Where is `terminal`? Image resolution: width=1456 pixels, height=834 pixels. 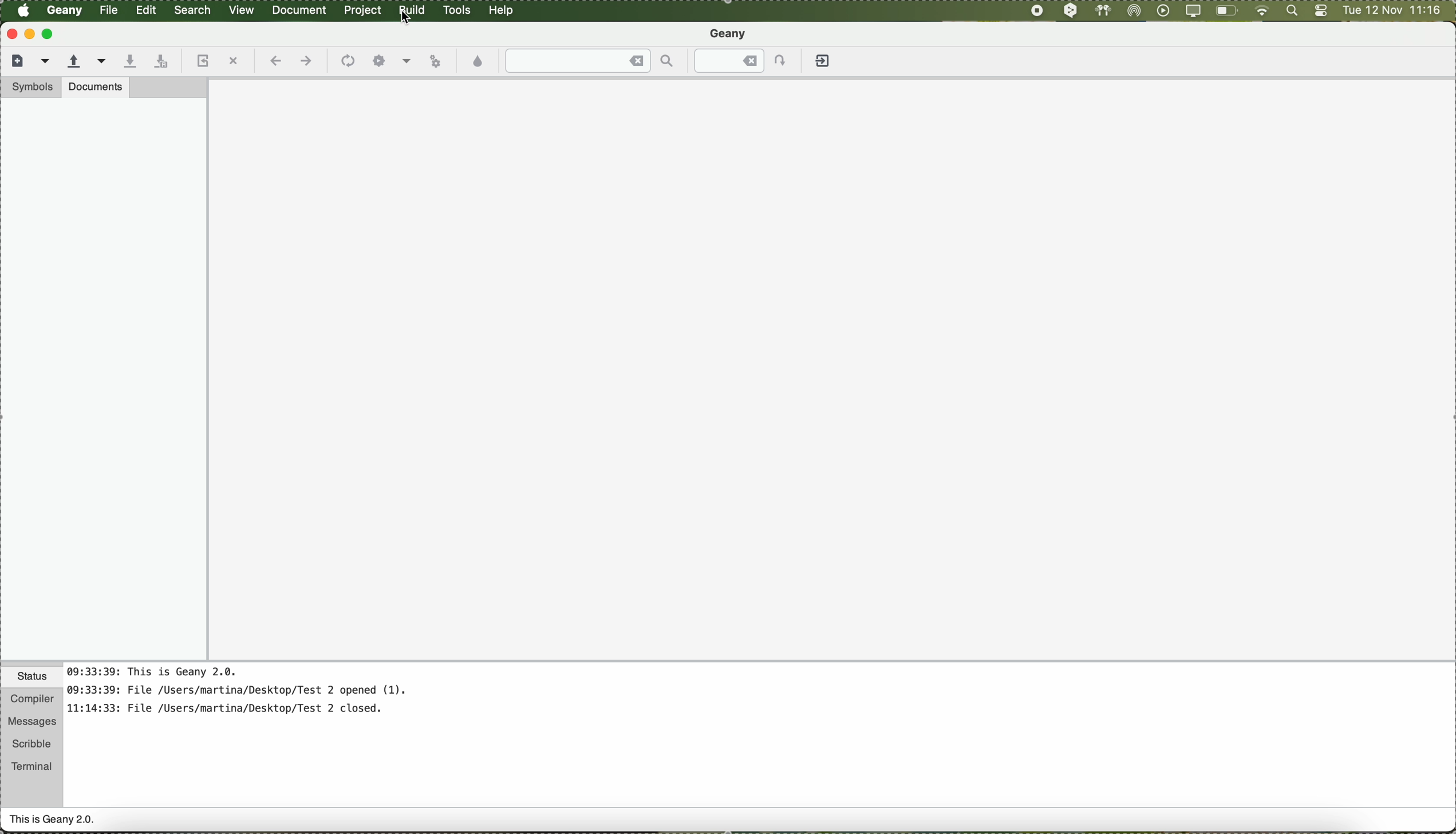
terminal is located at coordinates (32, 764).